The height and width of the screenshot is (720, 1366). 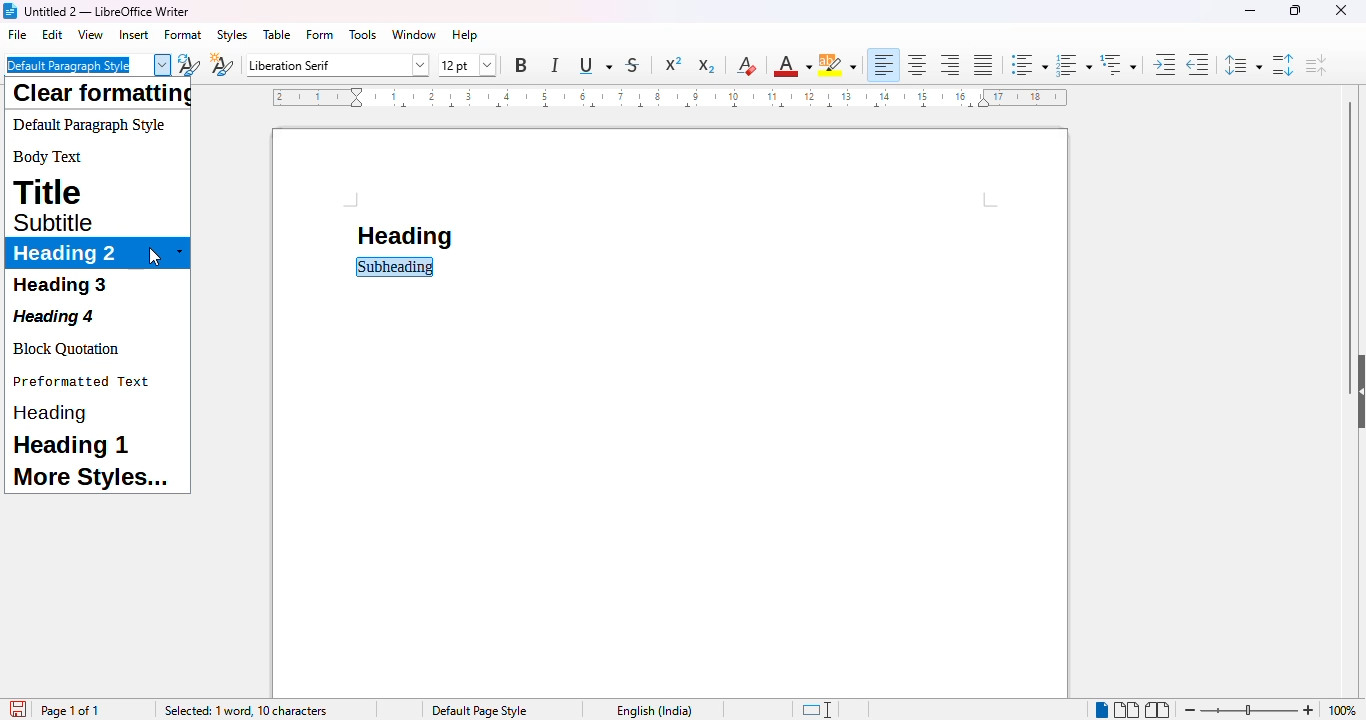 I want to click on align left, so click(x=884, y=65).